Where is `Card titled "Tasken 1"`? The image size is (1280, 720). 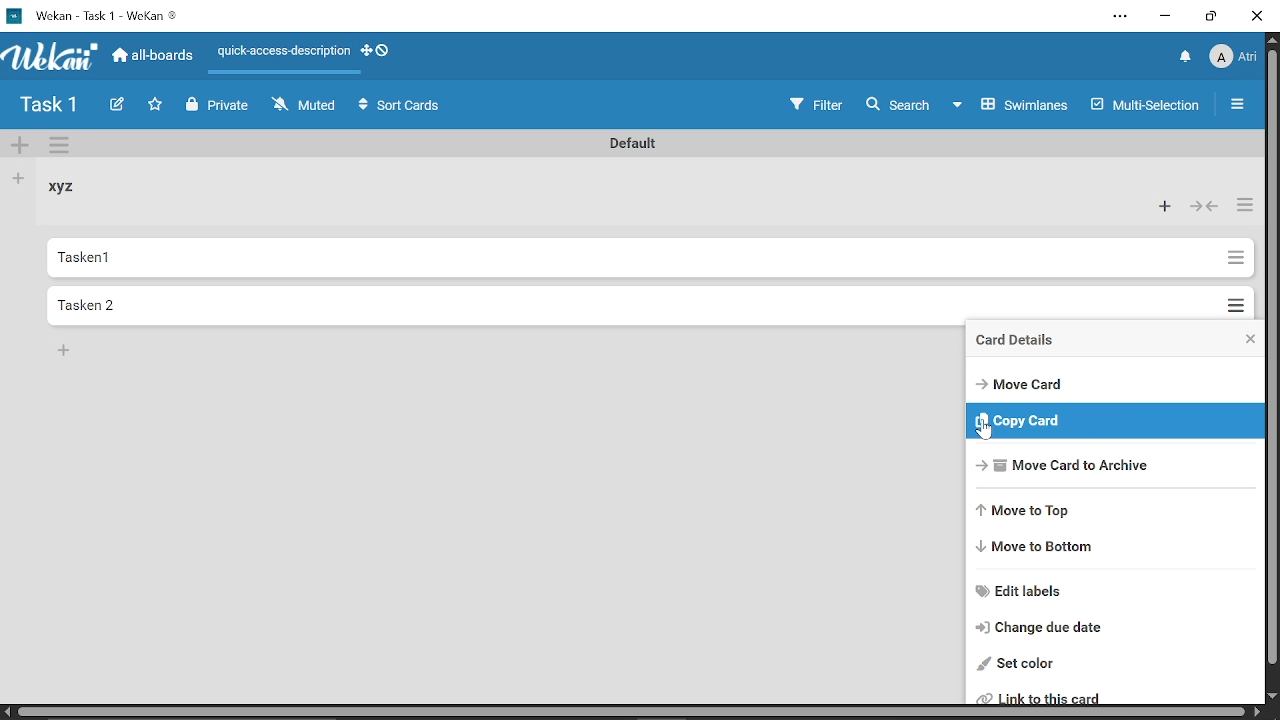 Card titled "Tasken 1" is located at coordinates (628, 258).